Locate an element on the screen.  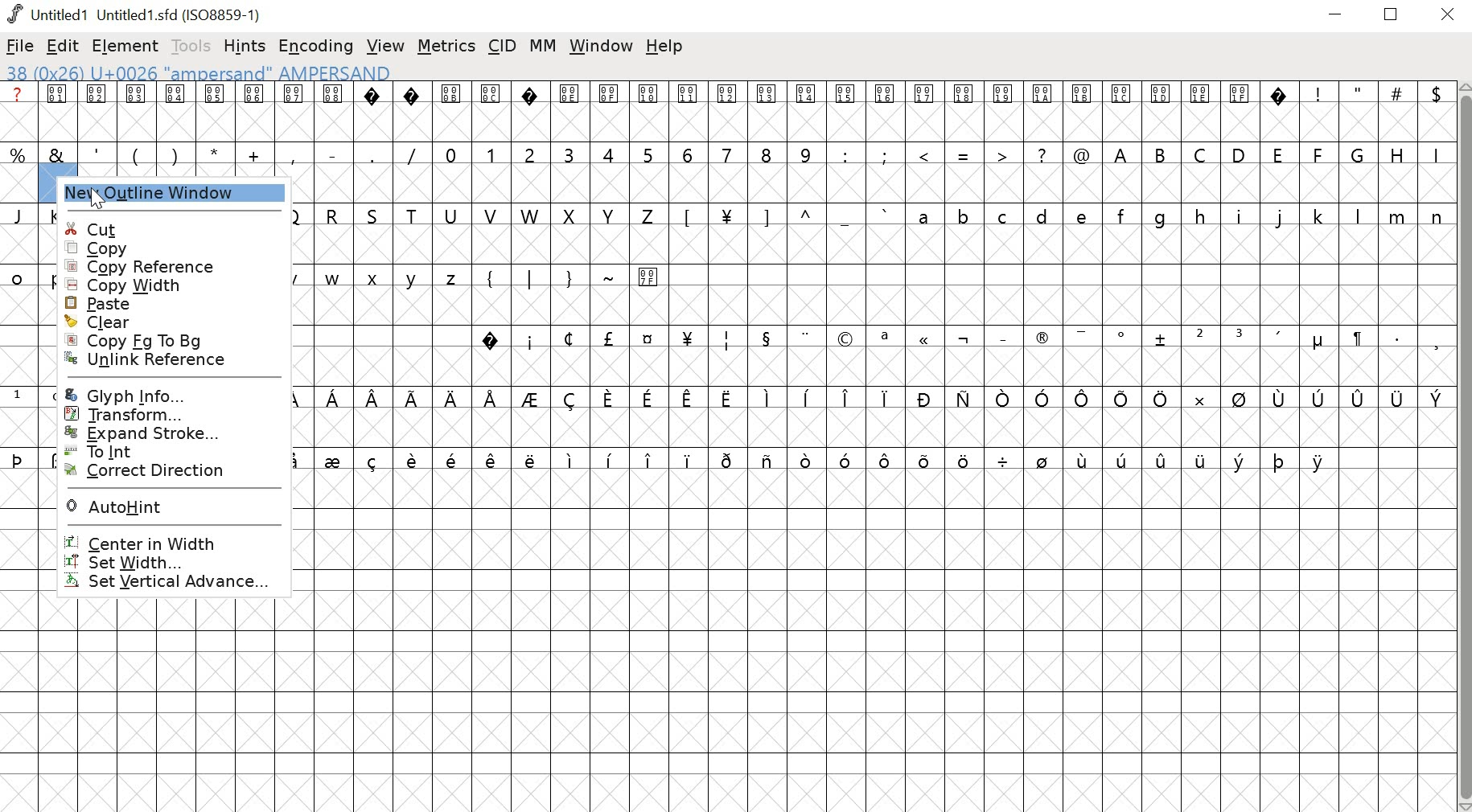
001F is located at coordinates (1240, 111).